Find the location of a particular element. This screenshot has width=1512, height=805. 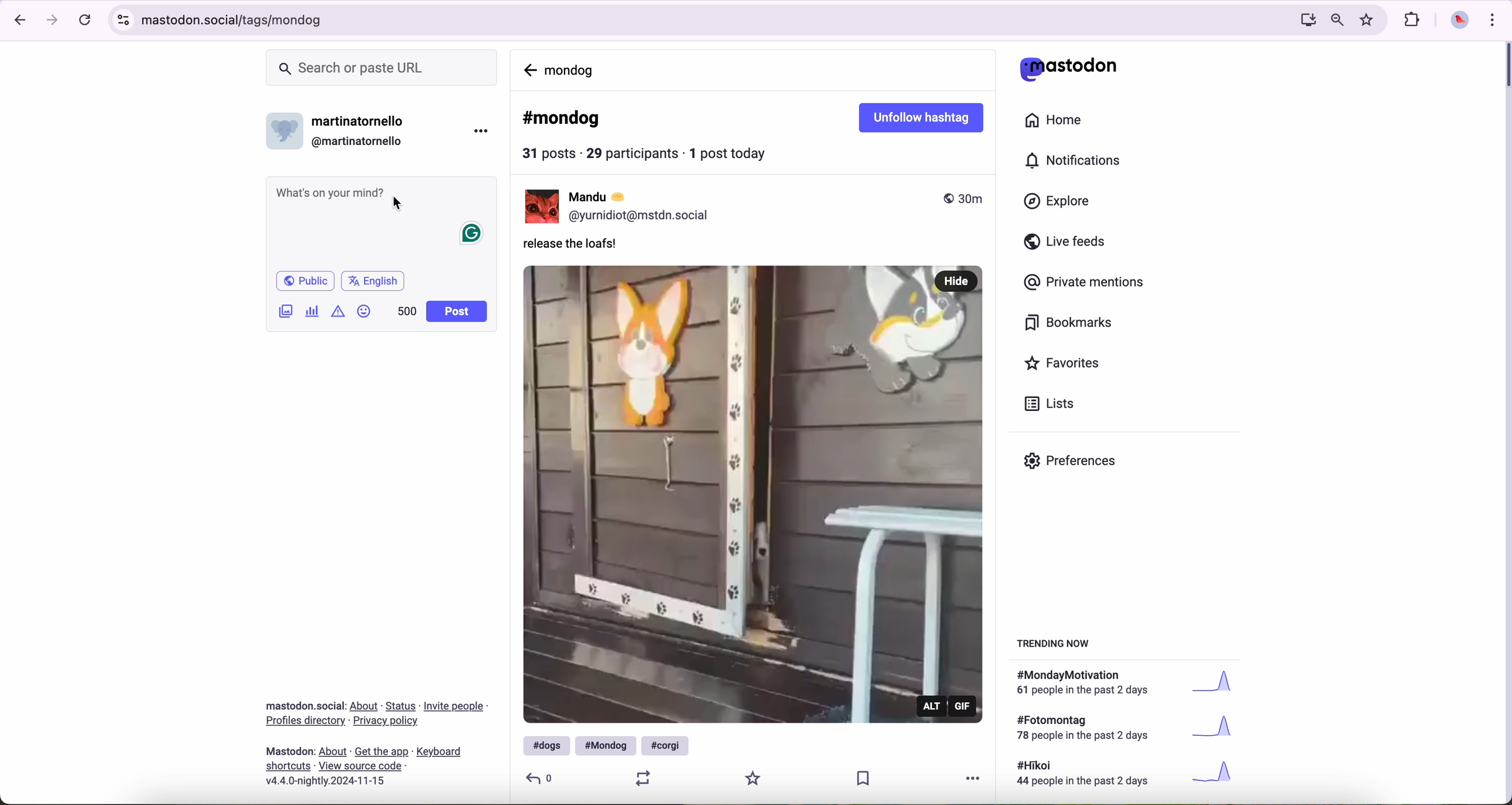

mondog is located at coordinates (572, 69).